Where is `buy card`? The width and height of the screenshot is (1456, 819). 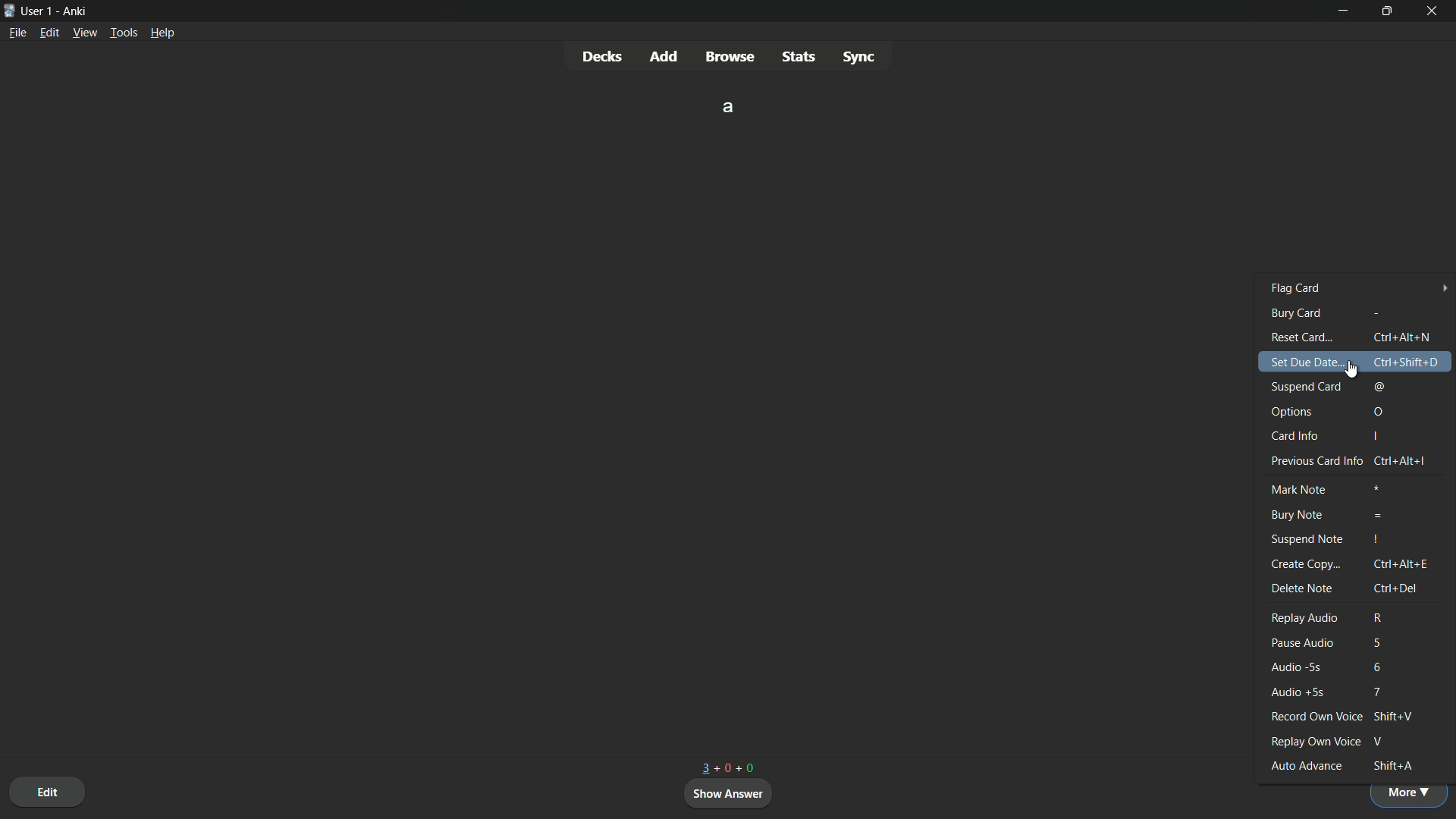 buy card is located at coordinates (1293, 314).